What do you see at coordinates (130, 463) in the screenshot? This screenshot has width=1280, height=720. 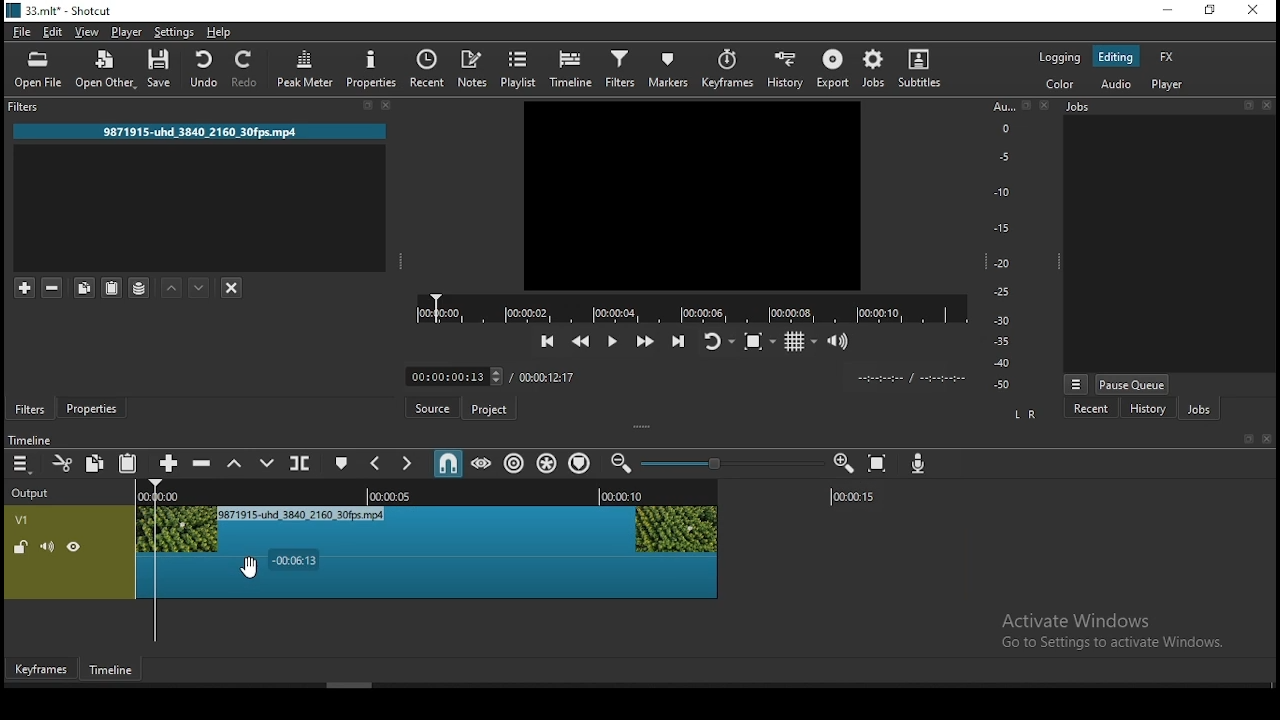 I see `paste` at bounding box center [130, 463].